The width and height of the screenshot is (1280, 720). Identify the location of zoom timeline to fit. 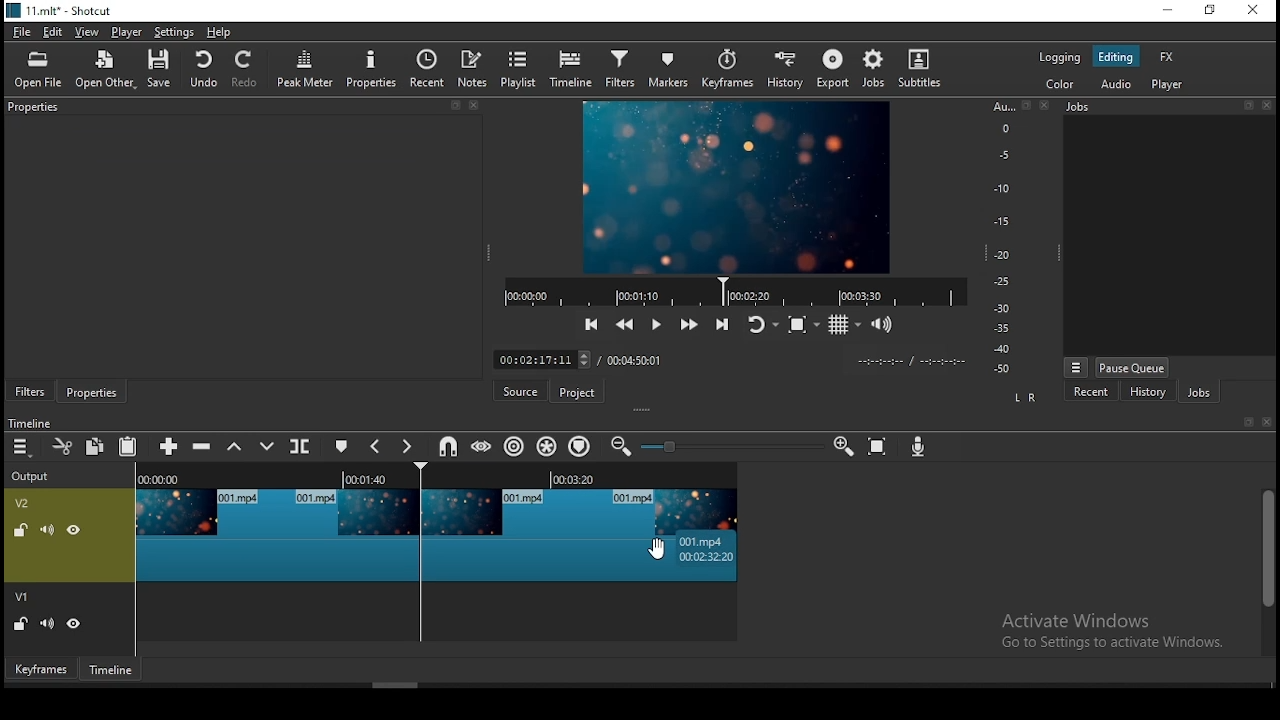
(879, 443).